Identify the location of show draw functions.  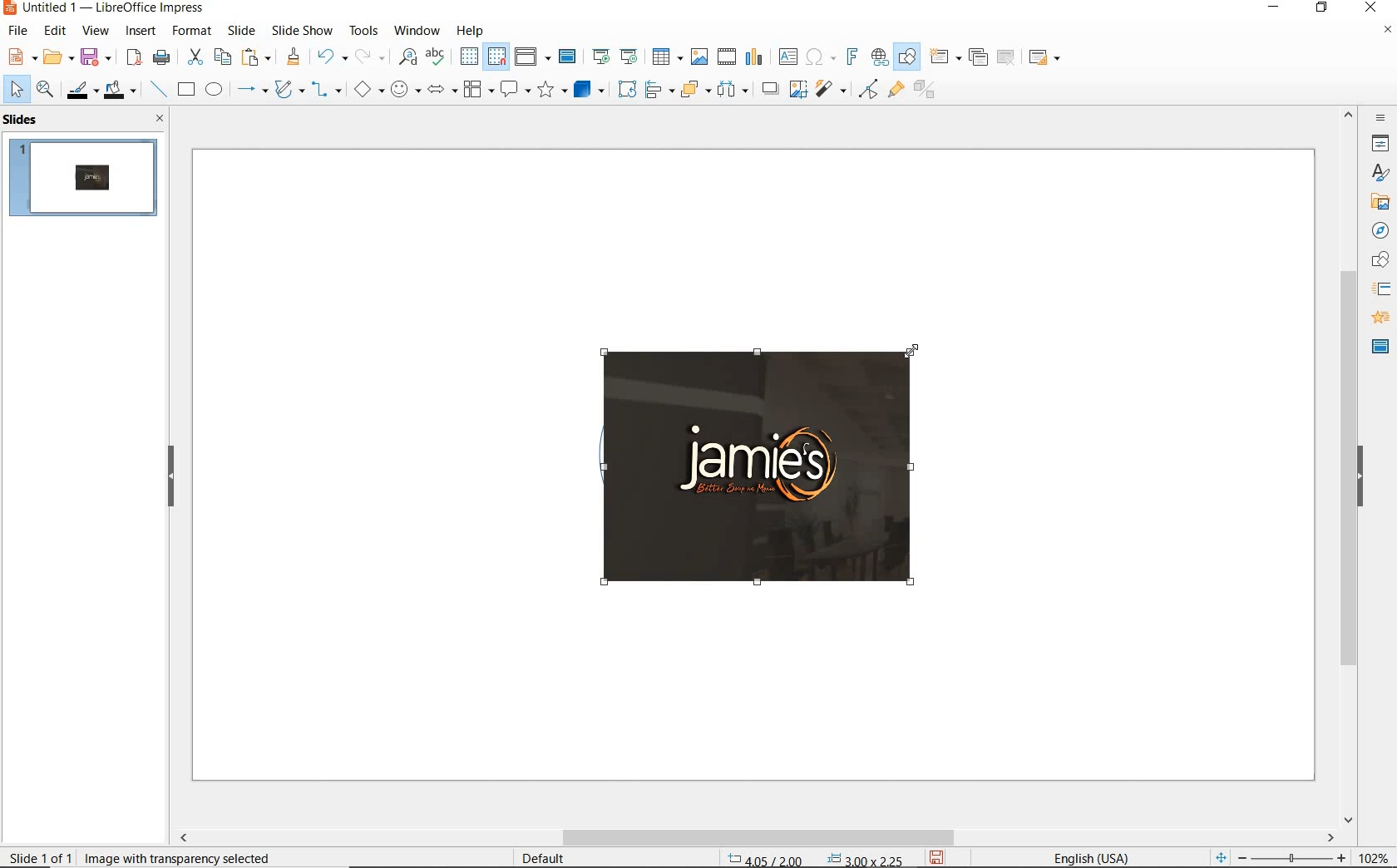
(907, 57).